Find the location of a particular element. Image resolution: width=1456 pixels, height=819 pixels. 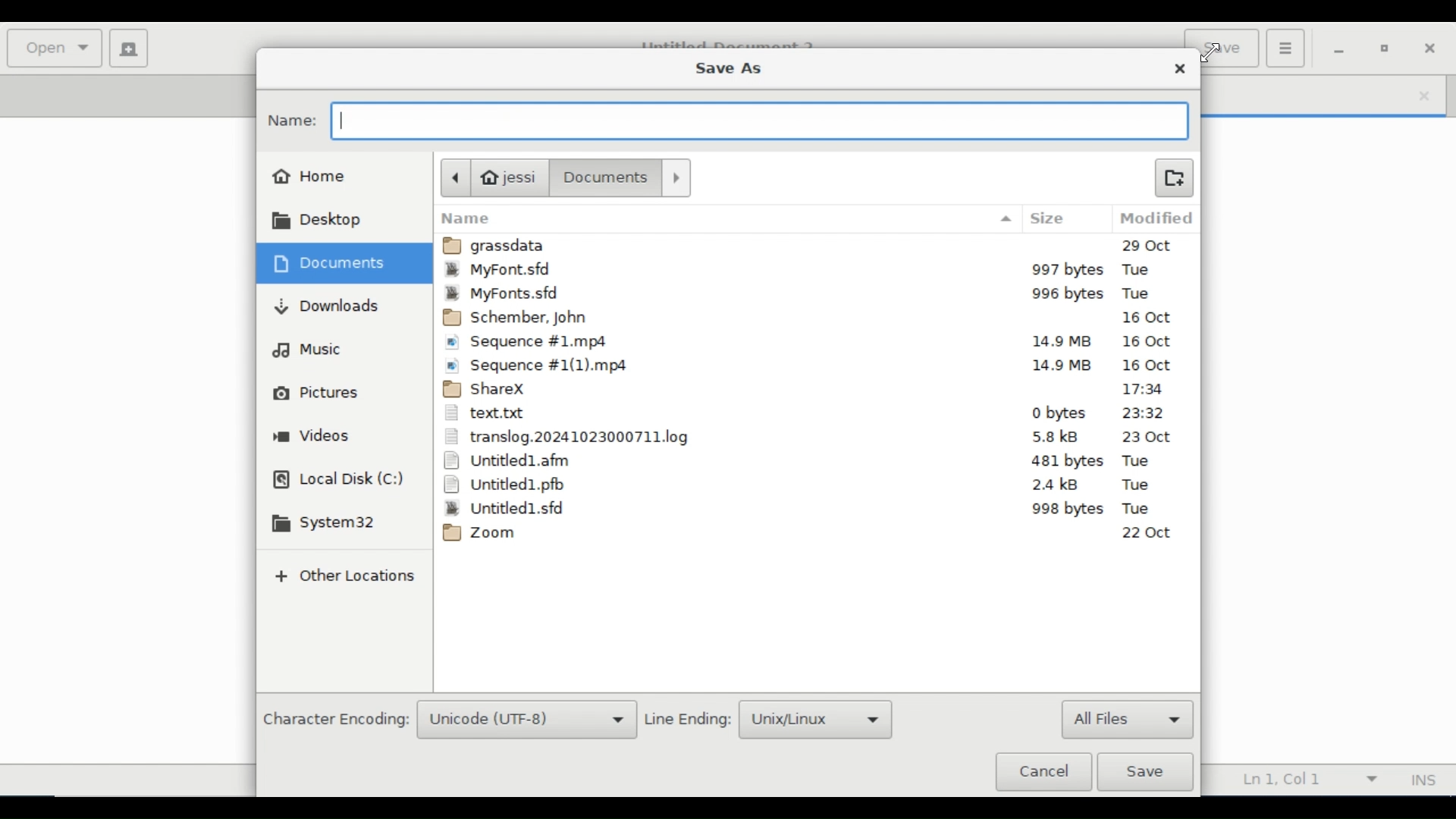

Back is located at coordinates (454, 177).